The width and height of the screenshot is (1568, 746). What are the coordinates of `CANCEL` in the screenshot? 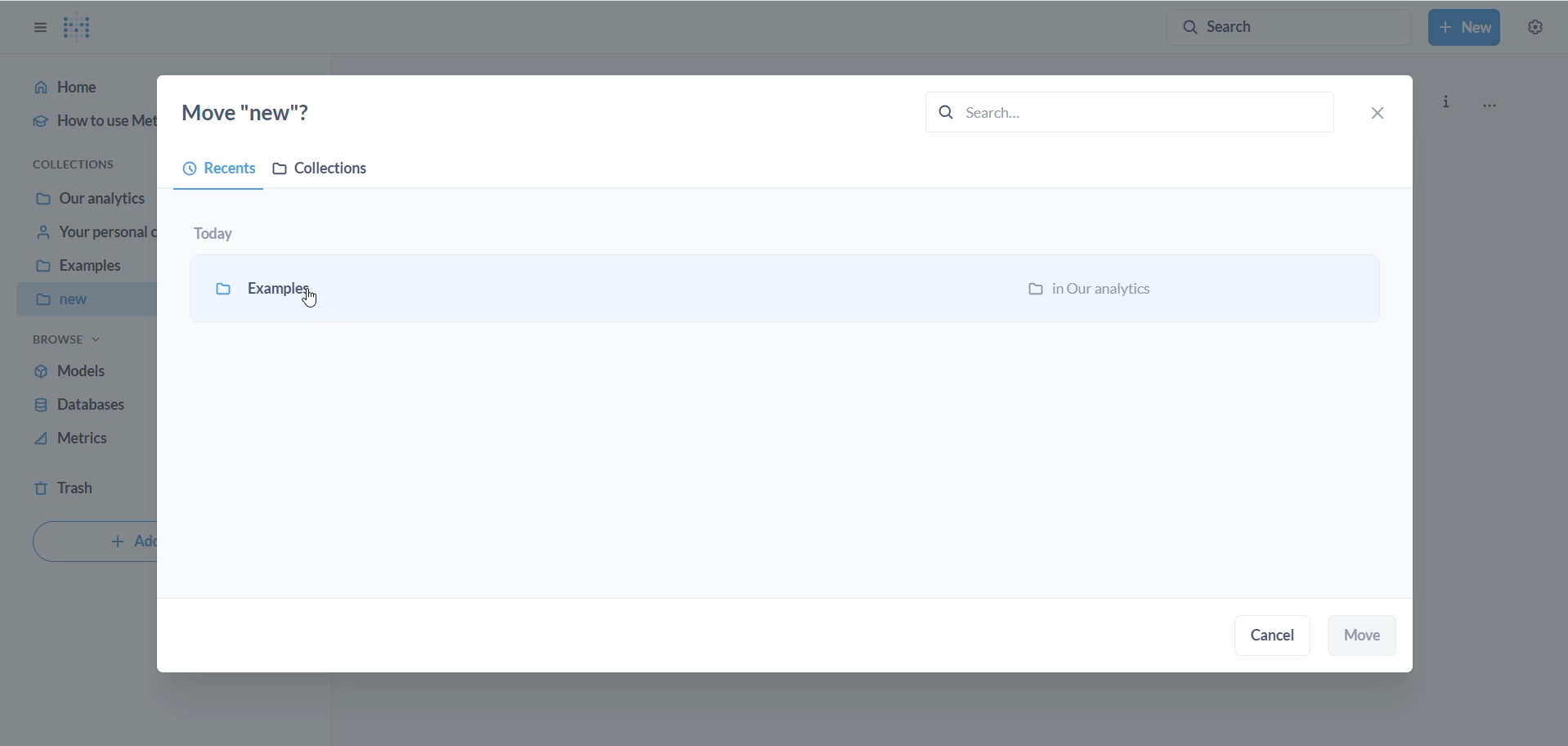 It's located at (1279, 639).